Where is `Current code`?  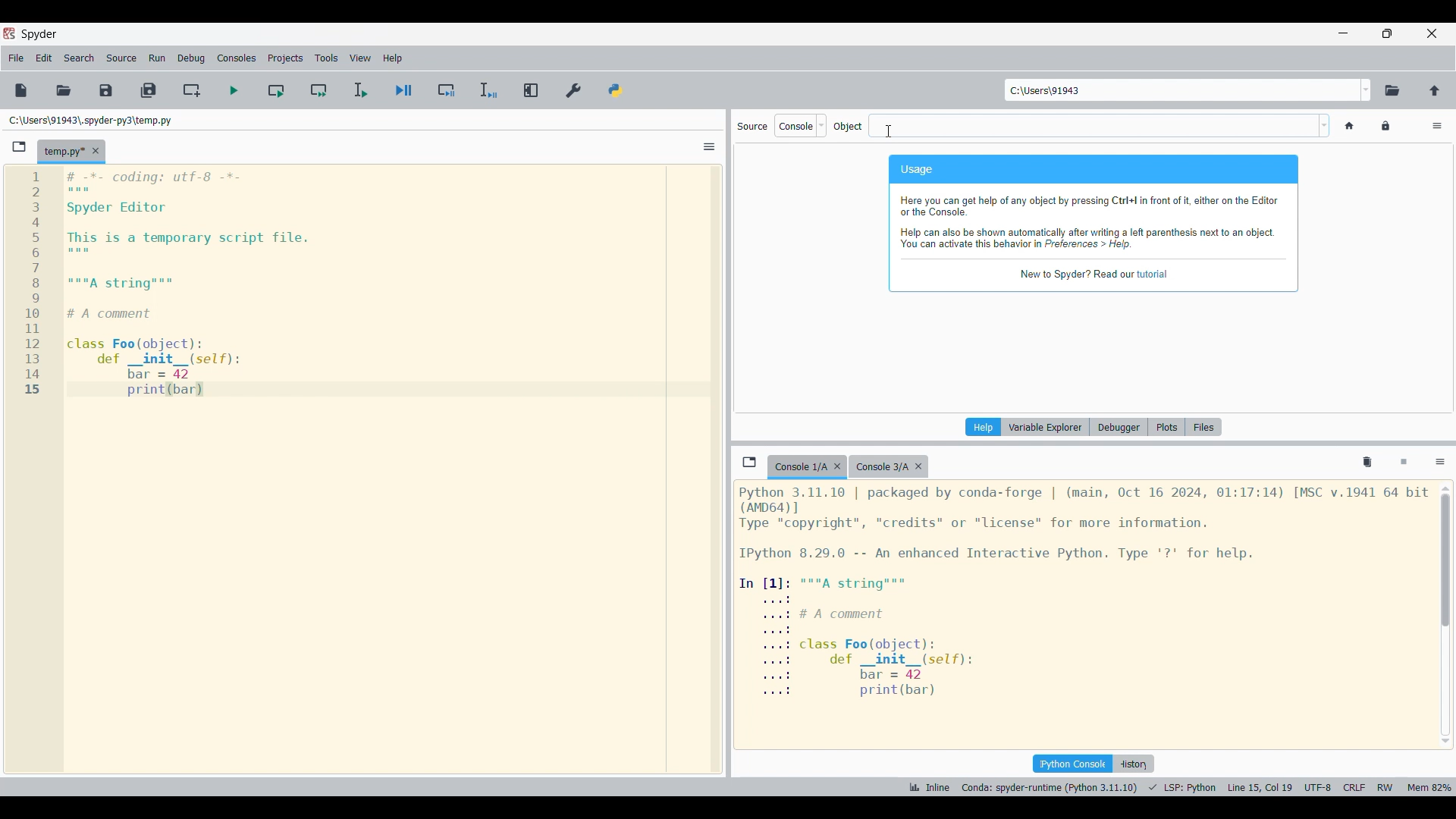 Current code is located at coordinates (192, 284).